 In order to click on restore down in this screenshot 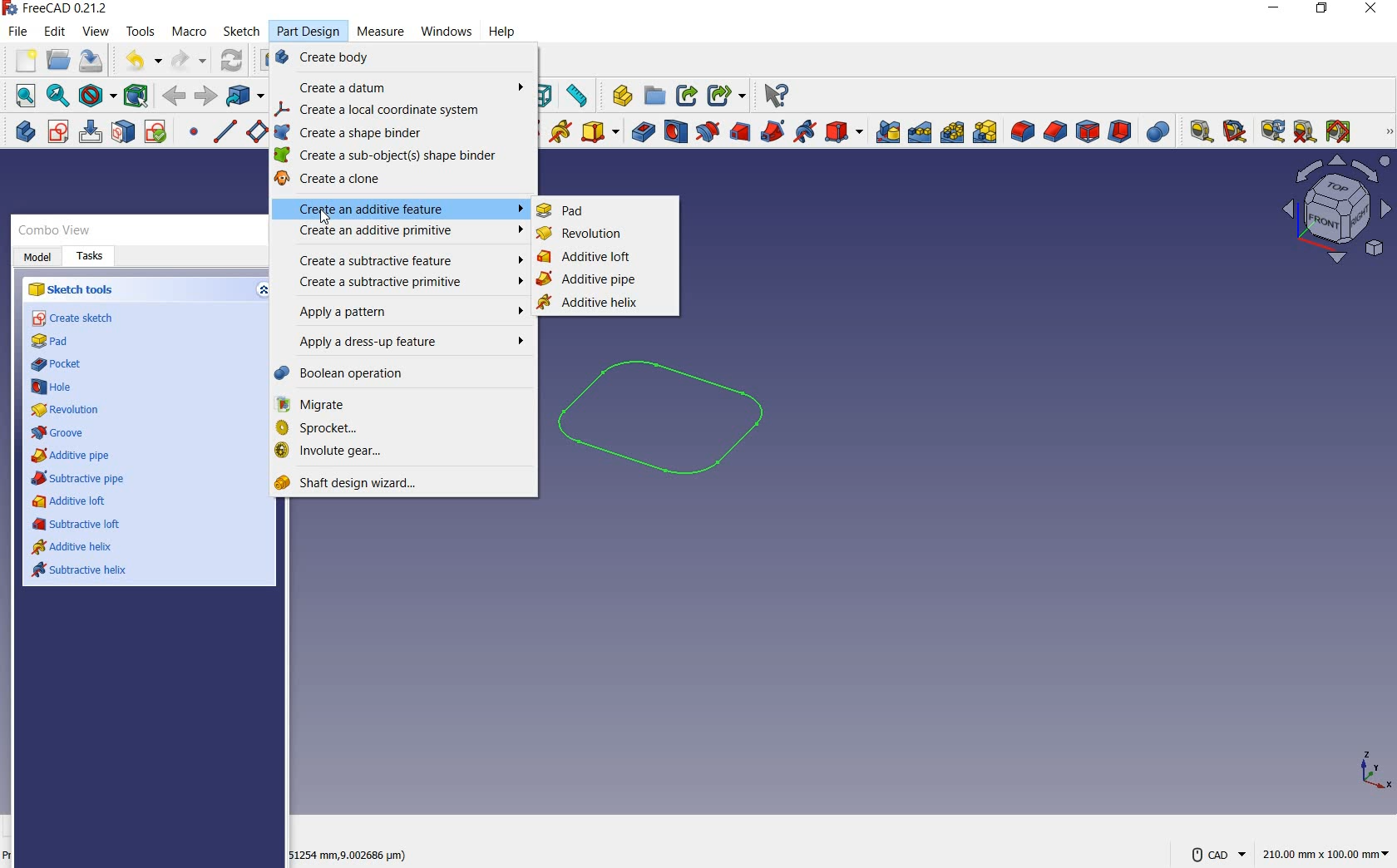, I will do `click(1323, 11)`.